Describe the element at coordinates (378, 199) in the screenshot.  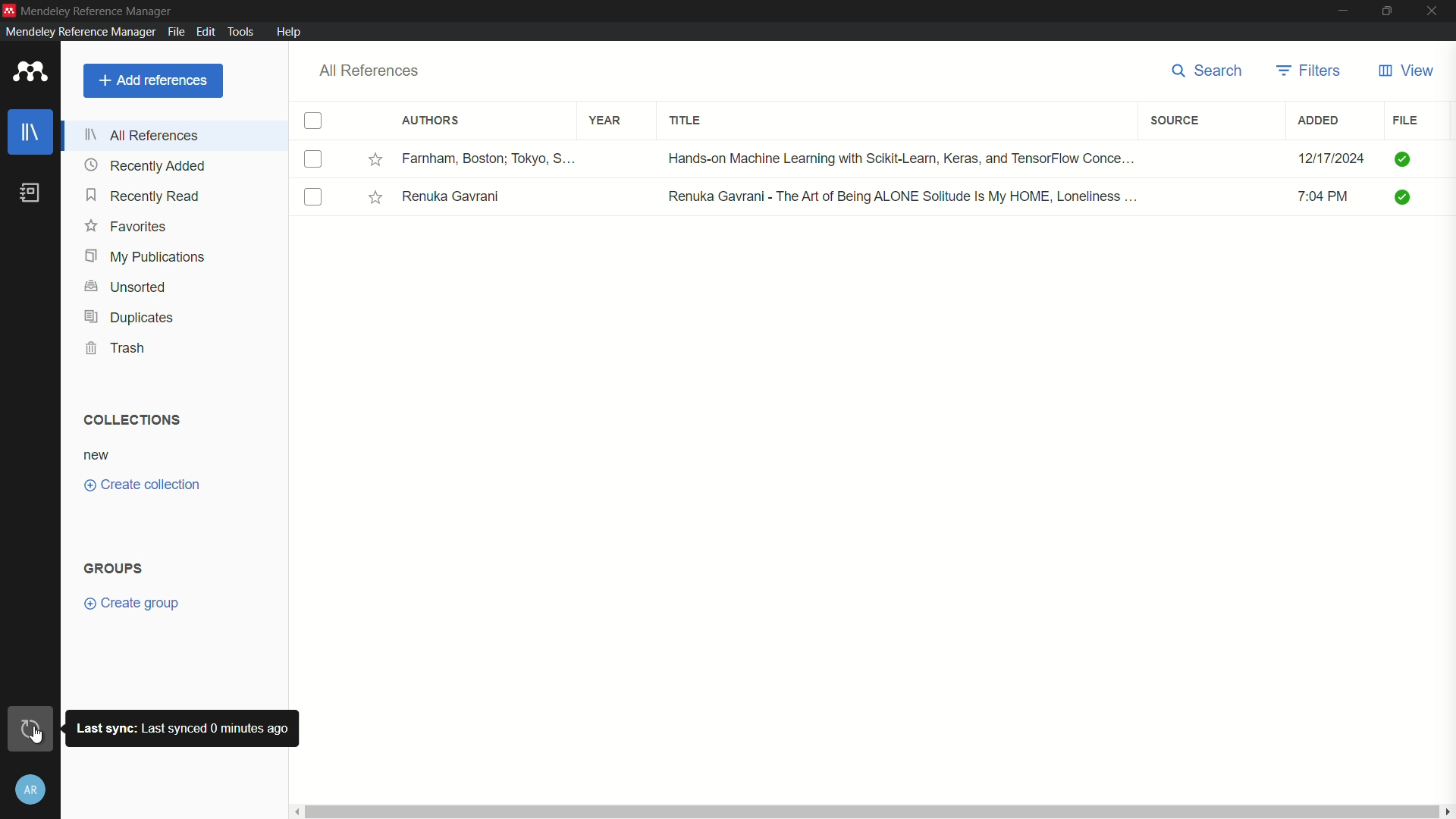
I see `Star` at that location.